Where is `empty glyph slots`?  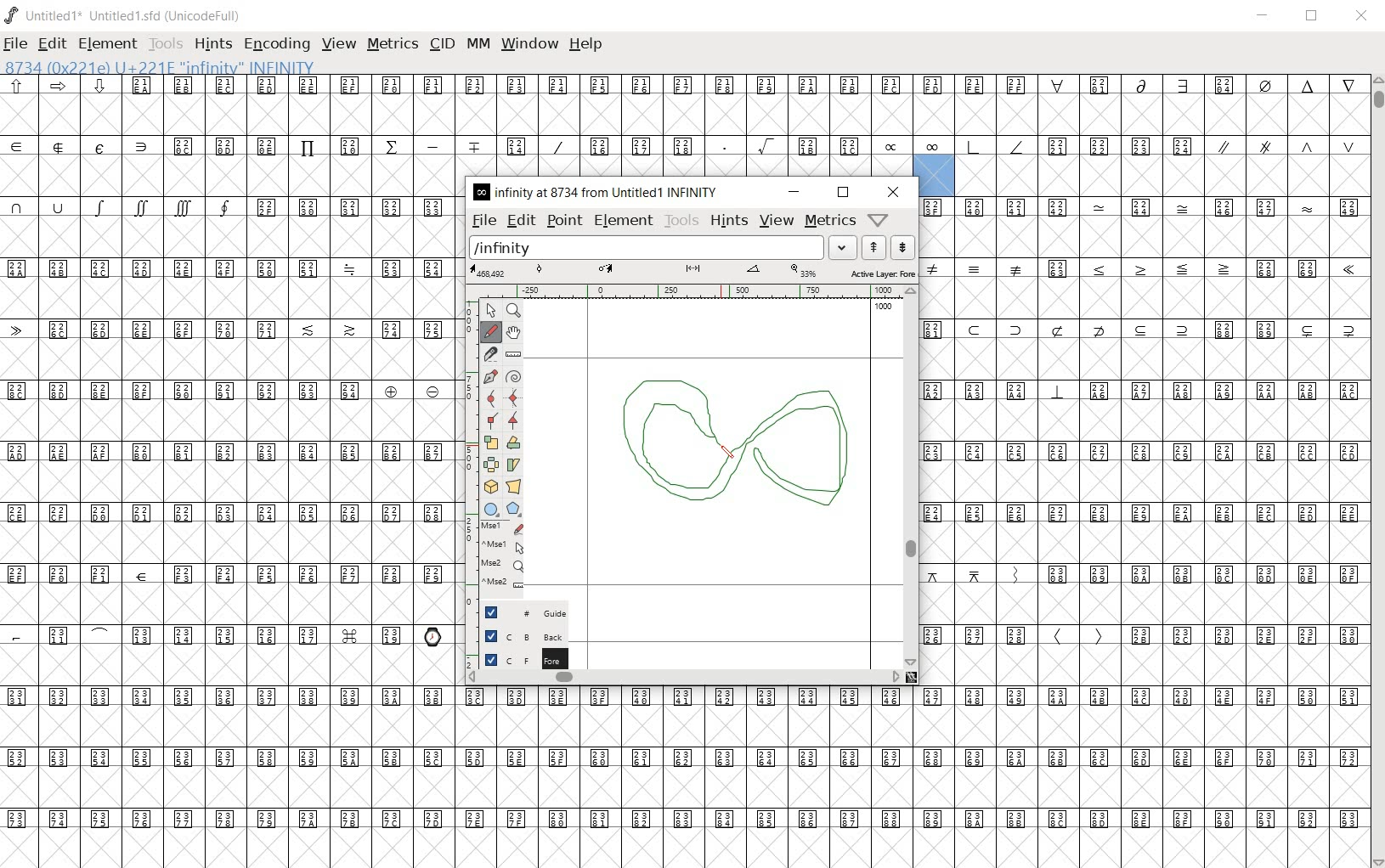 empty glyph slots is located at coordinates (231, 483).